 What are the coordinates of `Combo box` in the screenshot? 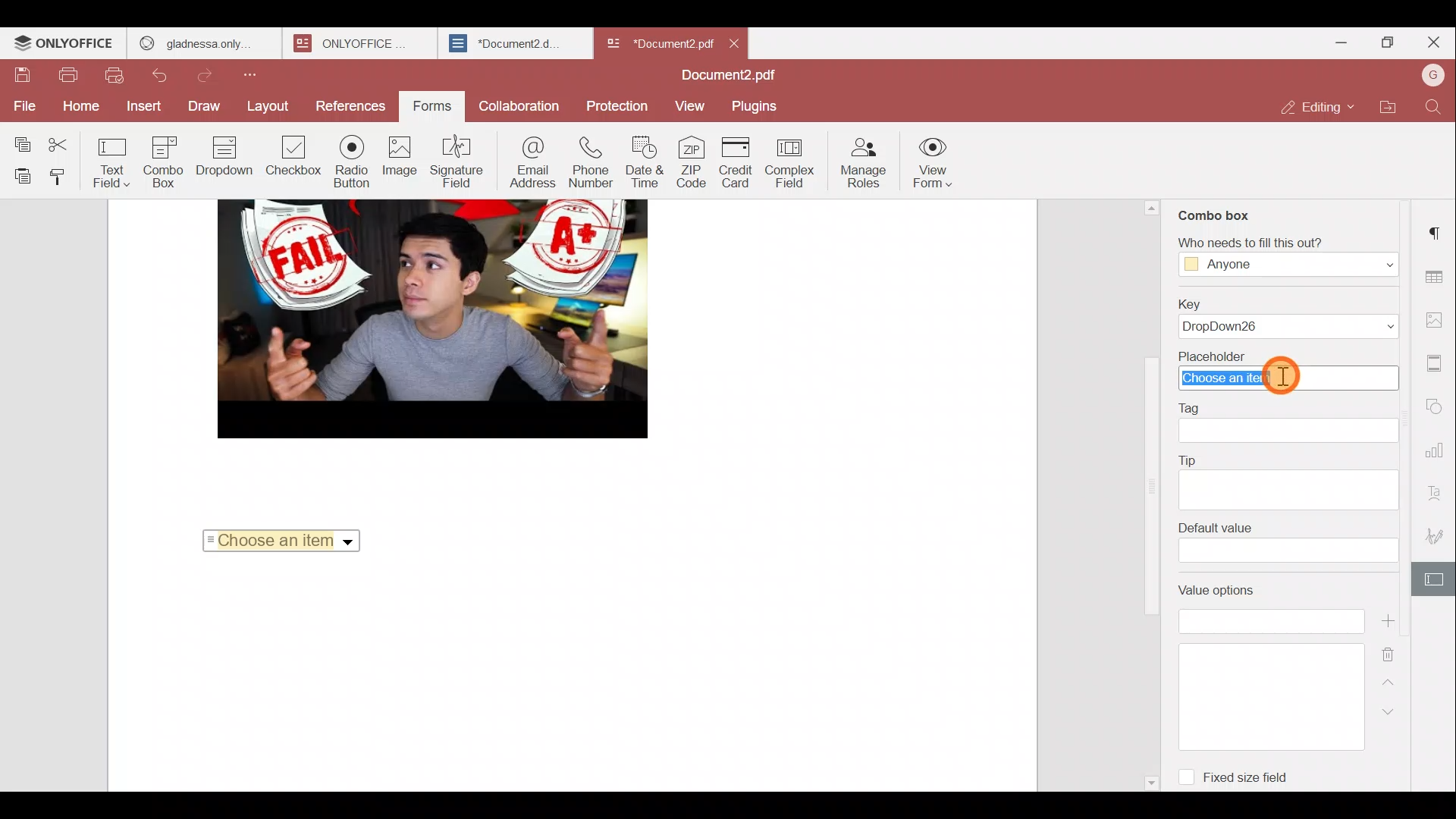 It's located at (169, 162).